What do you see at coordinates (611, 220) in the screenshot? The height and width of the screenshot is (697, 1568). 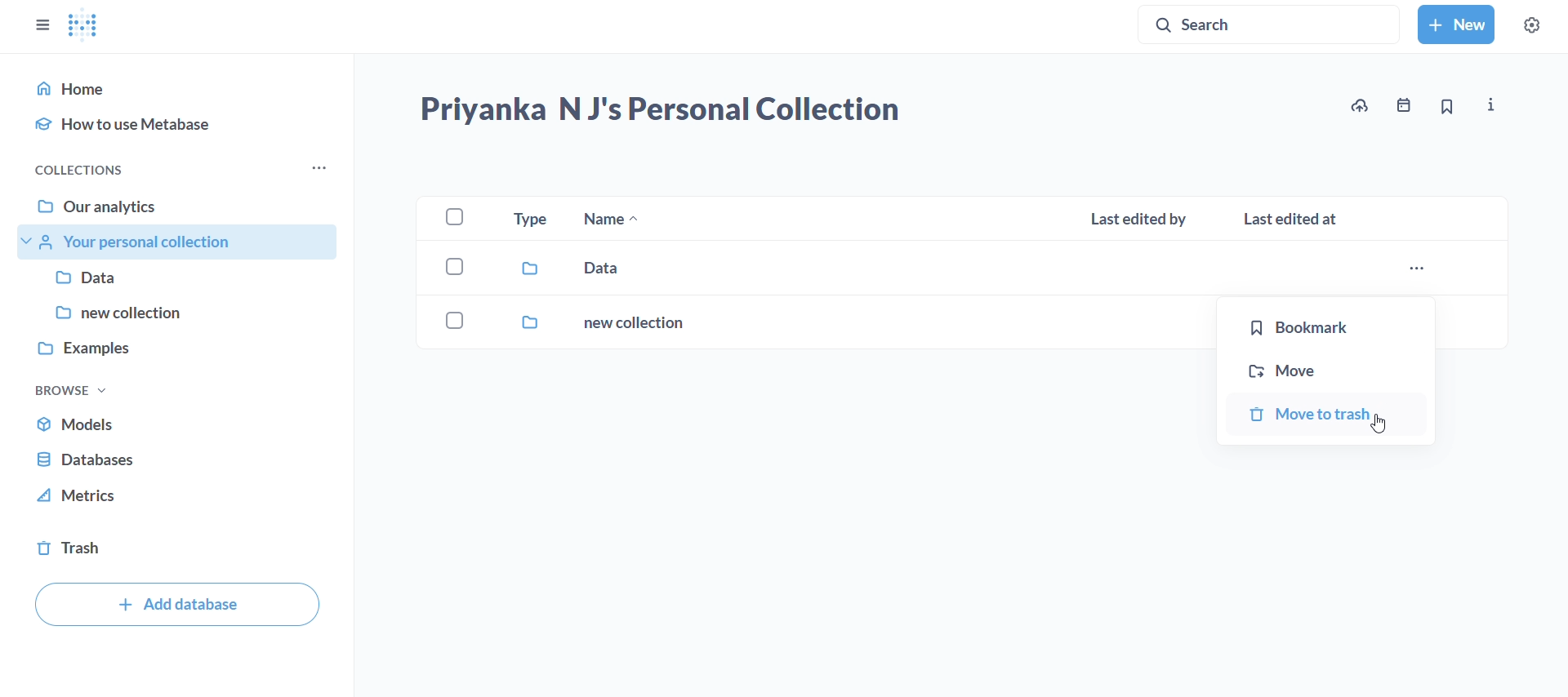 I see `name` at bounding box center [611, 220].